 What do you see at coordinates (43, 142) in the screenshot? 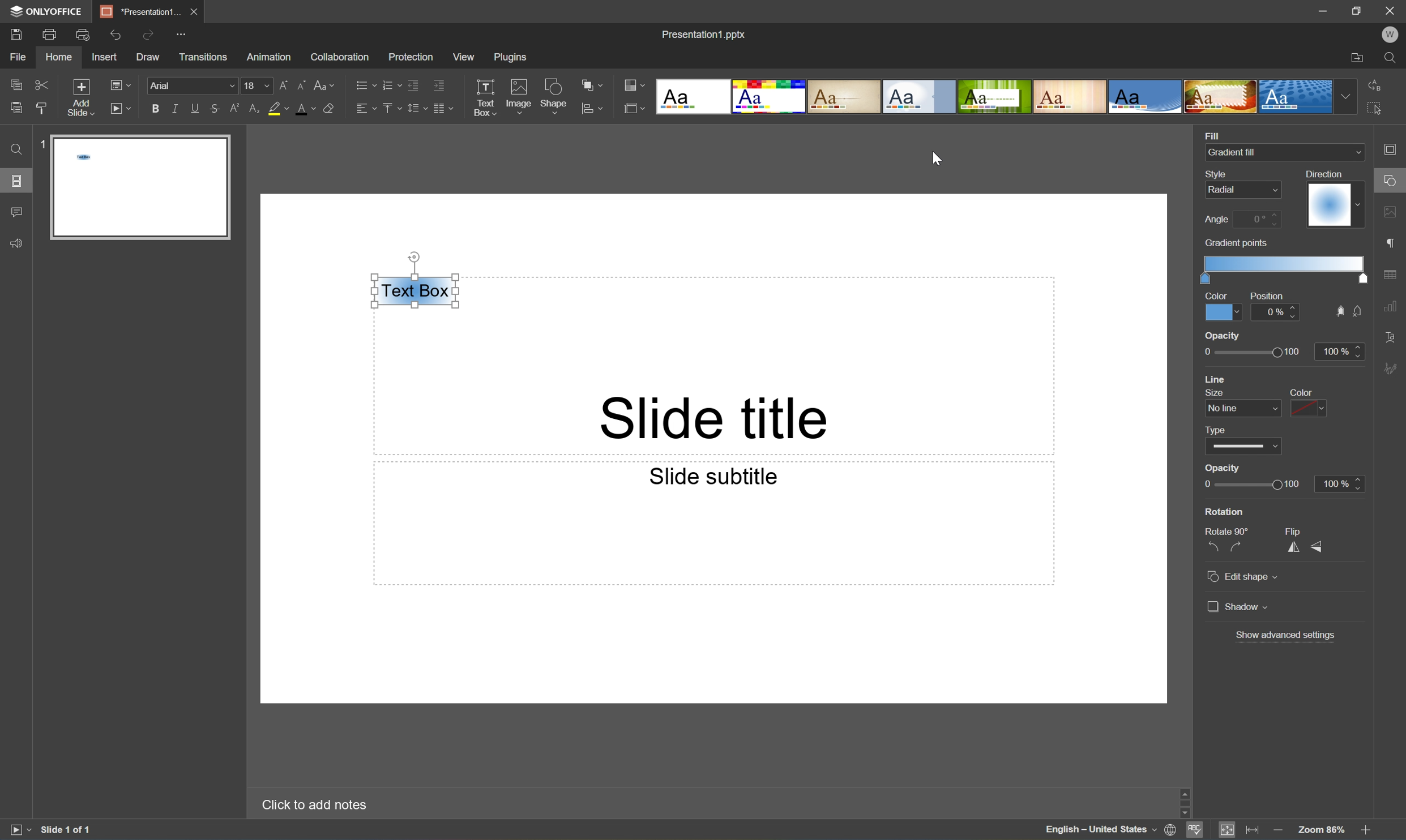
I see `1` at bounding box center [43, 142].